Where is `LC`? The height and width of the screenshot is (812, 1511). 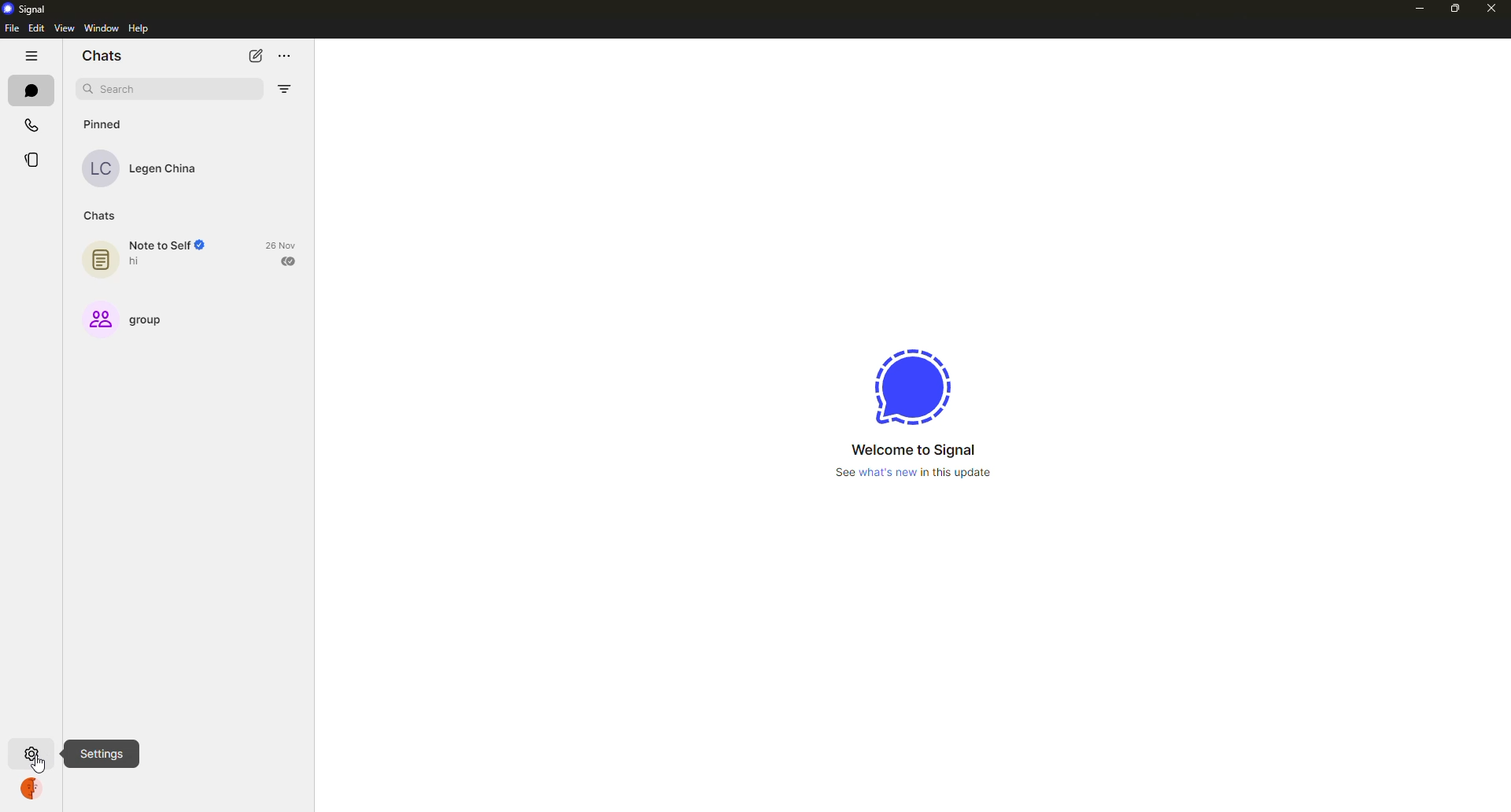
LC is located at coordinates (99, 168).